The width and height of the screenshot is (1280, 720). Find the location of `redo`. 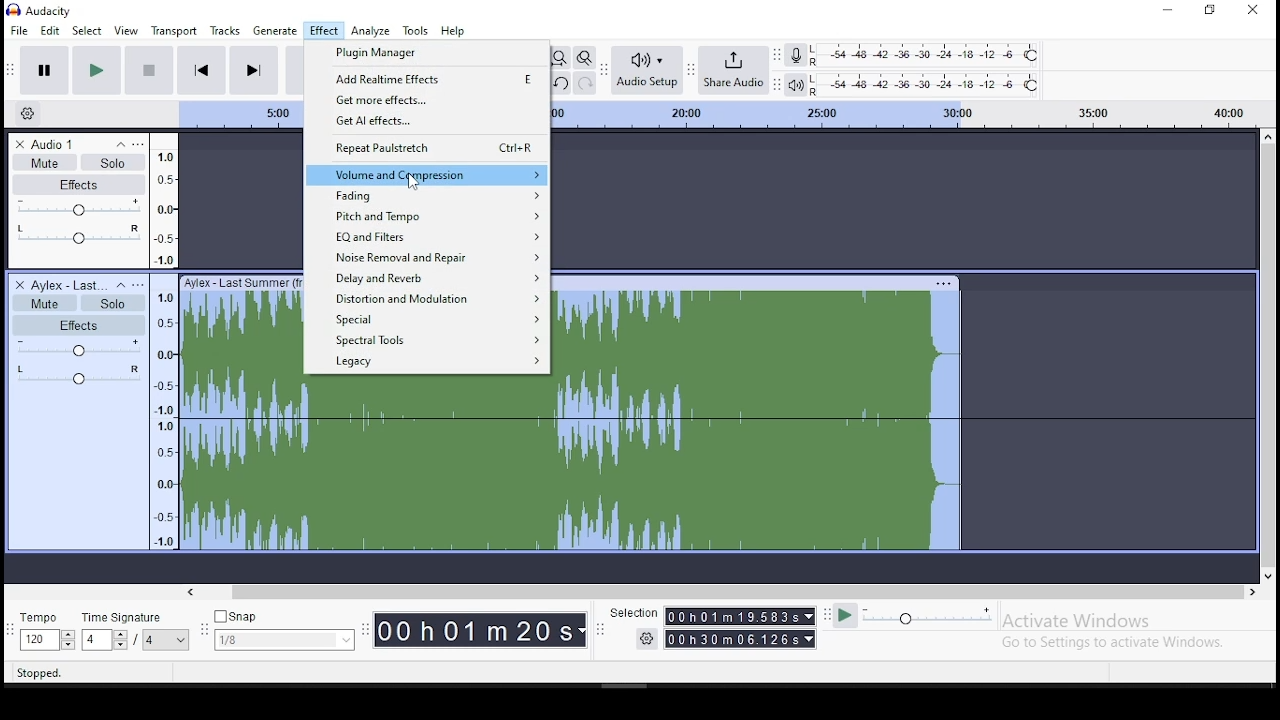

redo is located at coordinates (584, 83).